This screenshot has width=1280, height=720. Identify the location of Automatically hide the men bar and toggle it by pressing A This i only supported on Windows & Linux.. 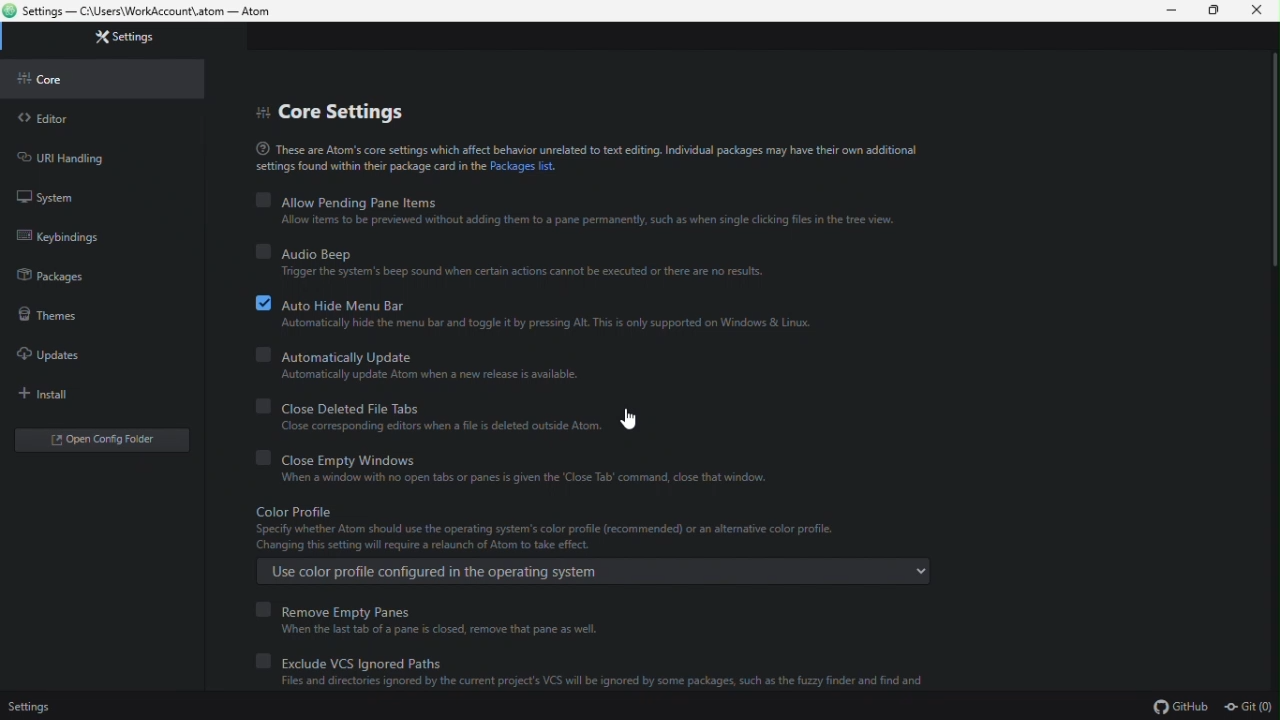
(546, 325).